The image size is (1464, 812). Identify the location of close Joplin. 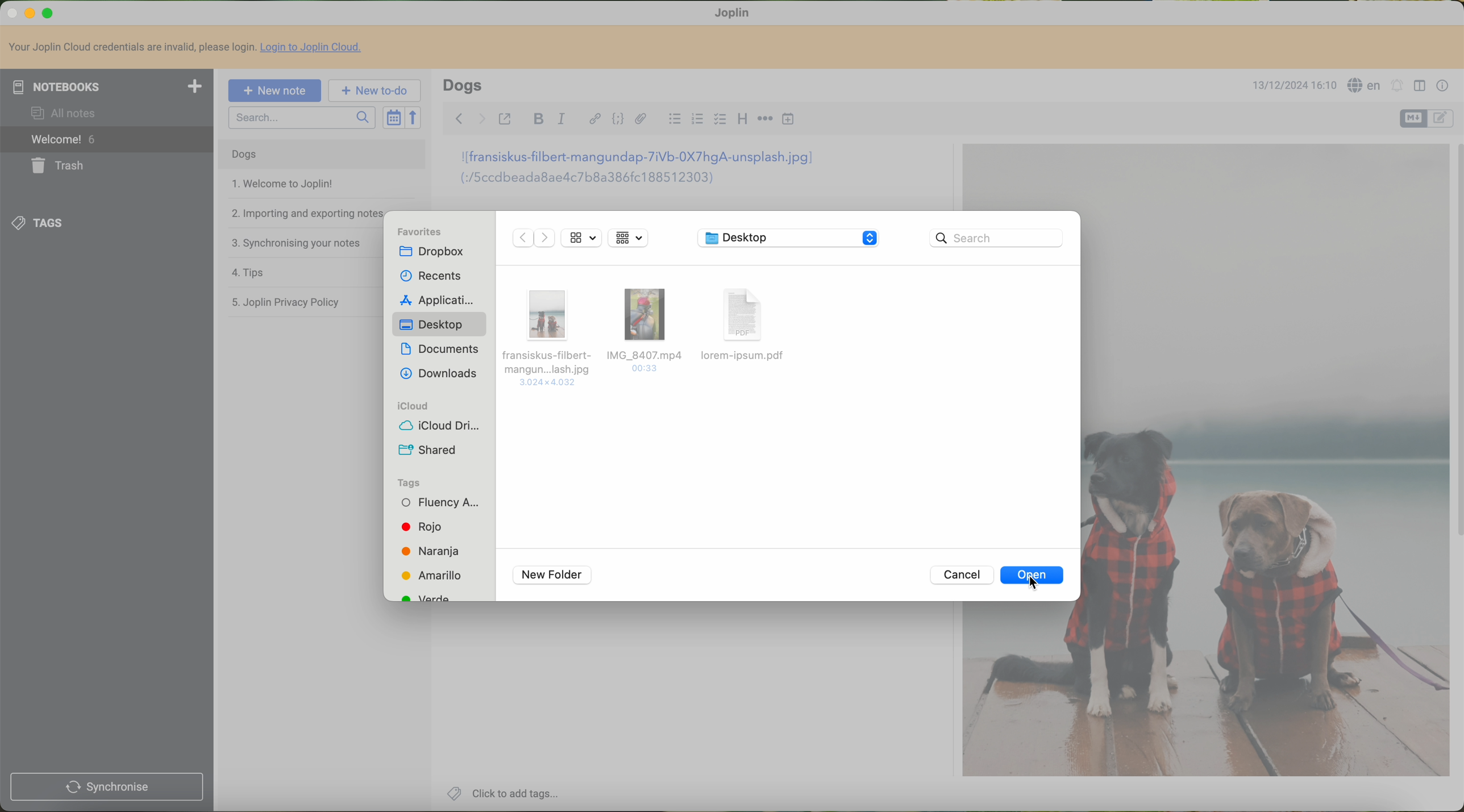
(9, 12).